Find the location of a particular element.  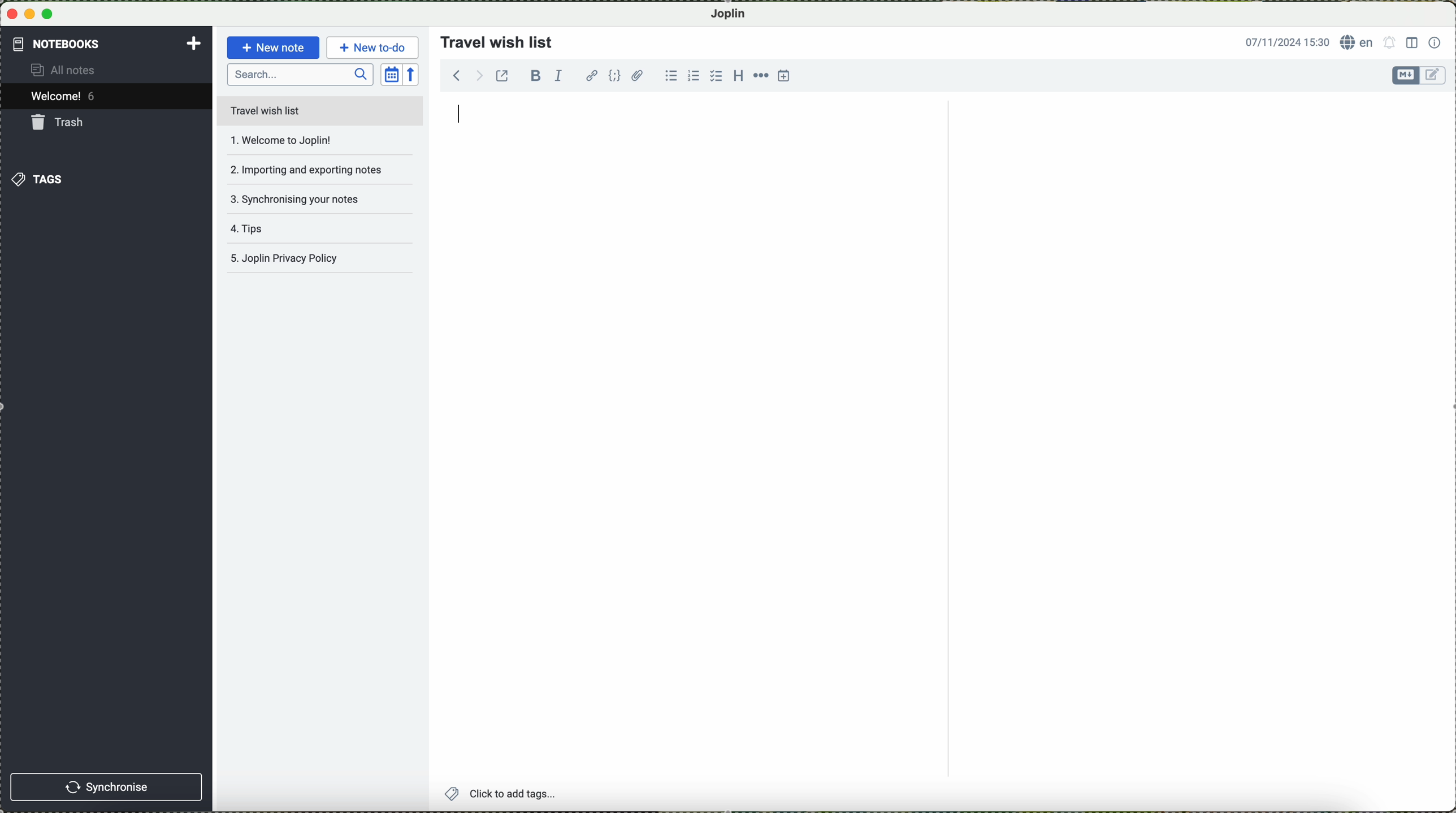

minimize is located at coordinates (31, 14).